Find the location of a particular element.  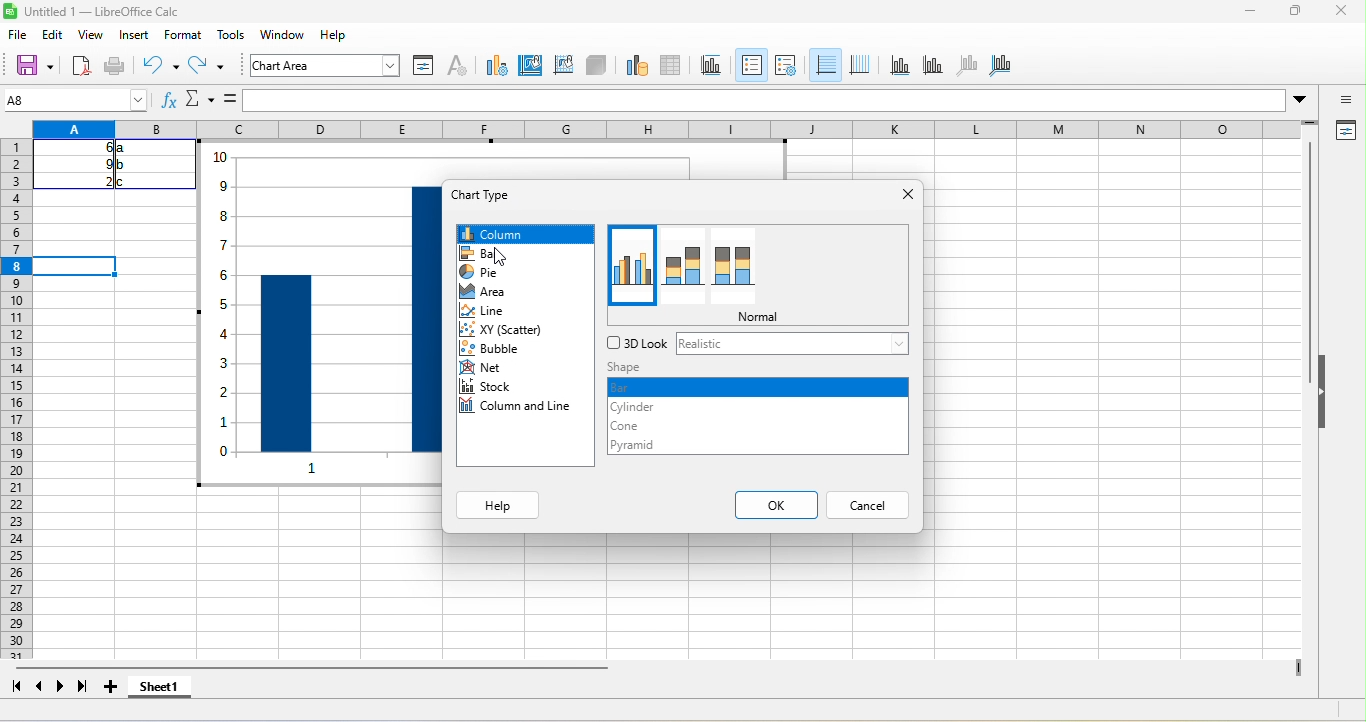

data ranges is located at coordinates (631, 66).